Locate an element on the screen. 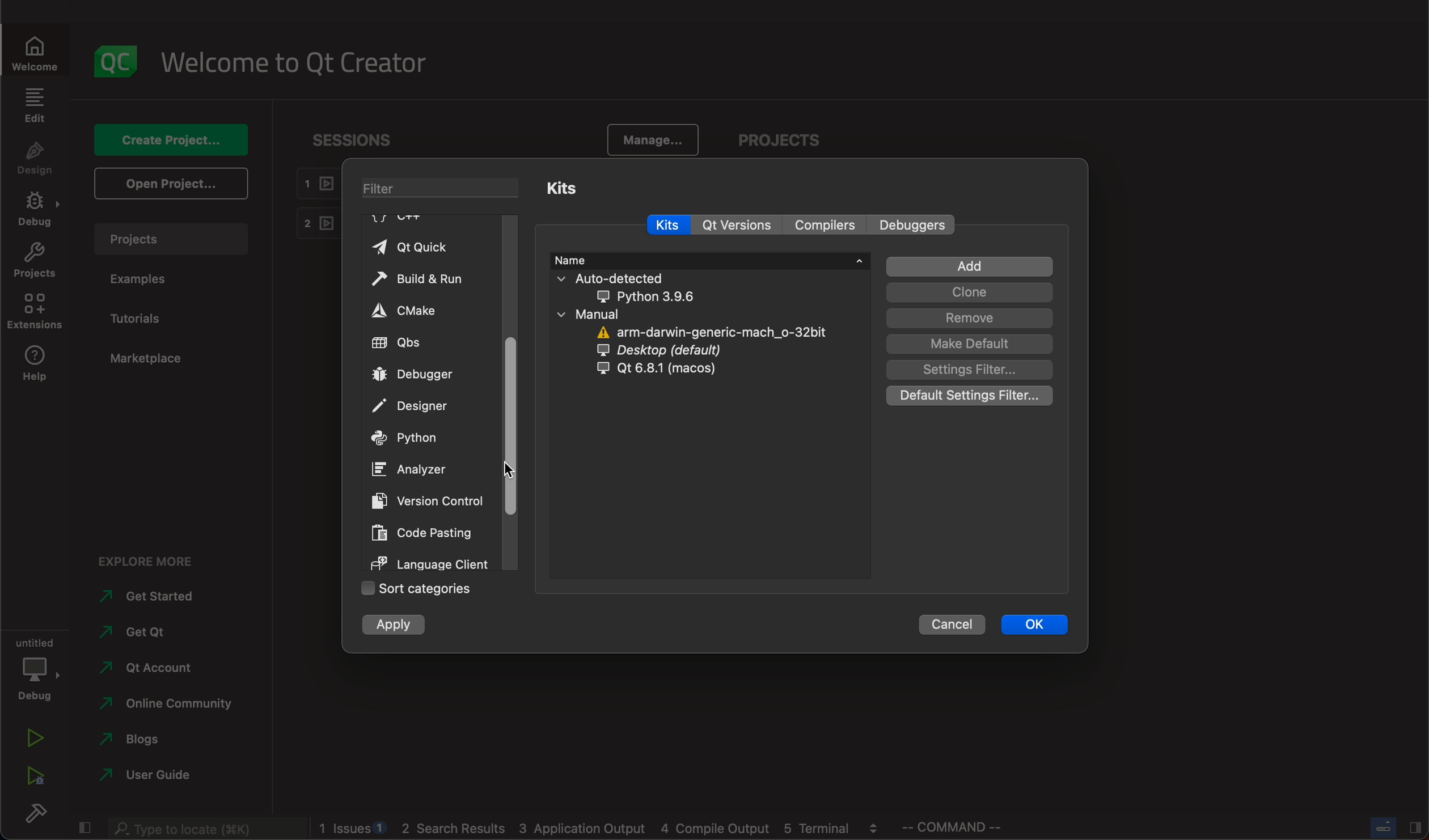 The width and height of the screenshot is (1429, 840). version is located at coordinates (431, 502).